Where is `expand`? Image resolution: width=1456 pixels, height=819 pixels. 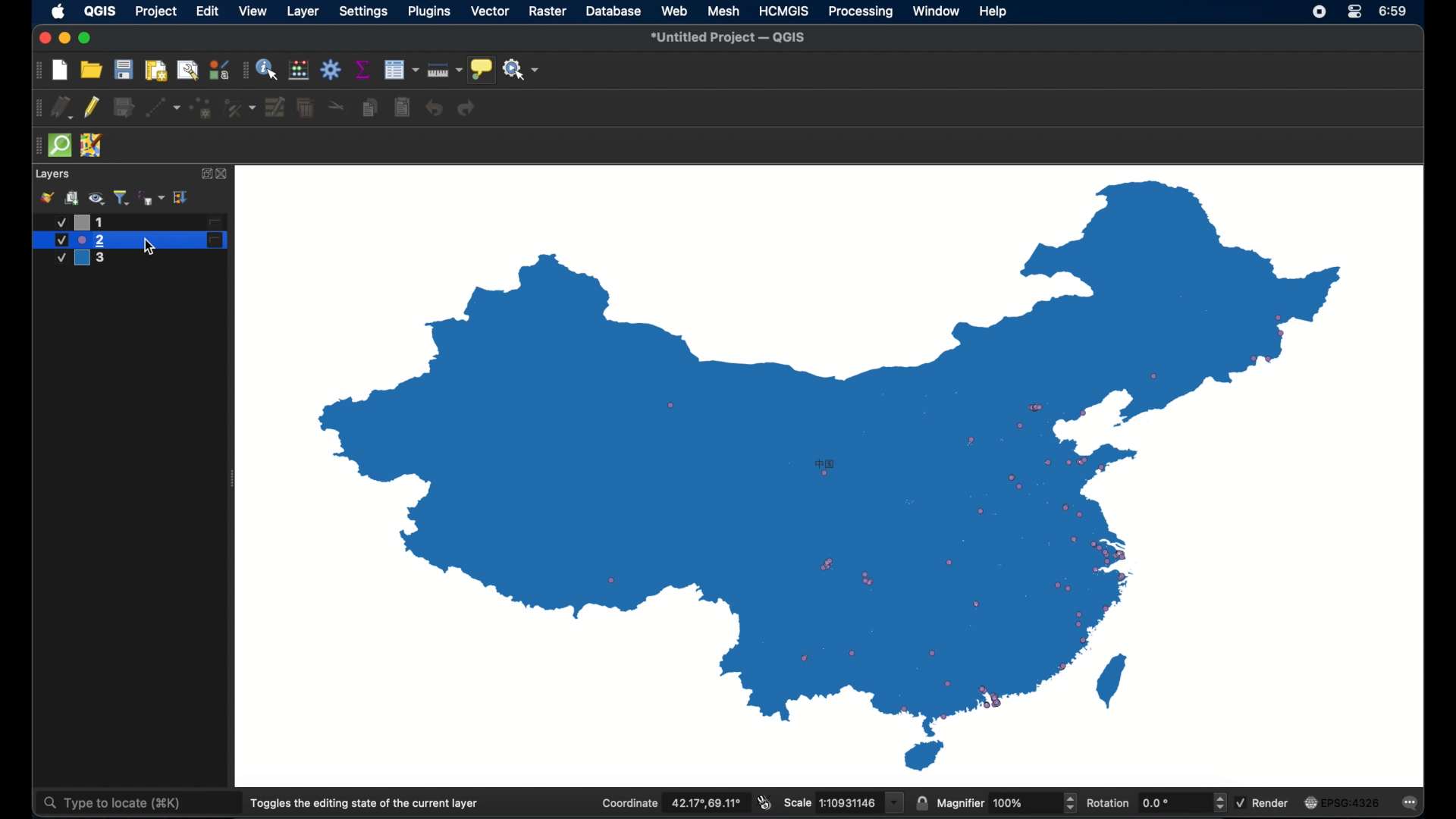 expand is located at coordinates (182, 198).